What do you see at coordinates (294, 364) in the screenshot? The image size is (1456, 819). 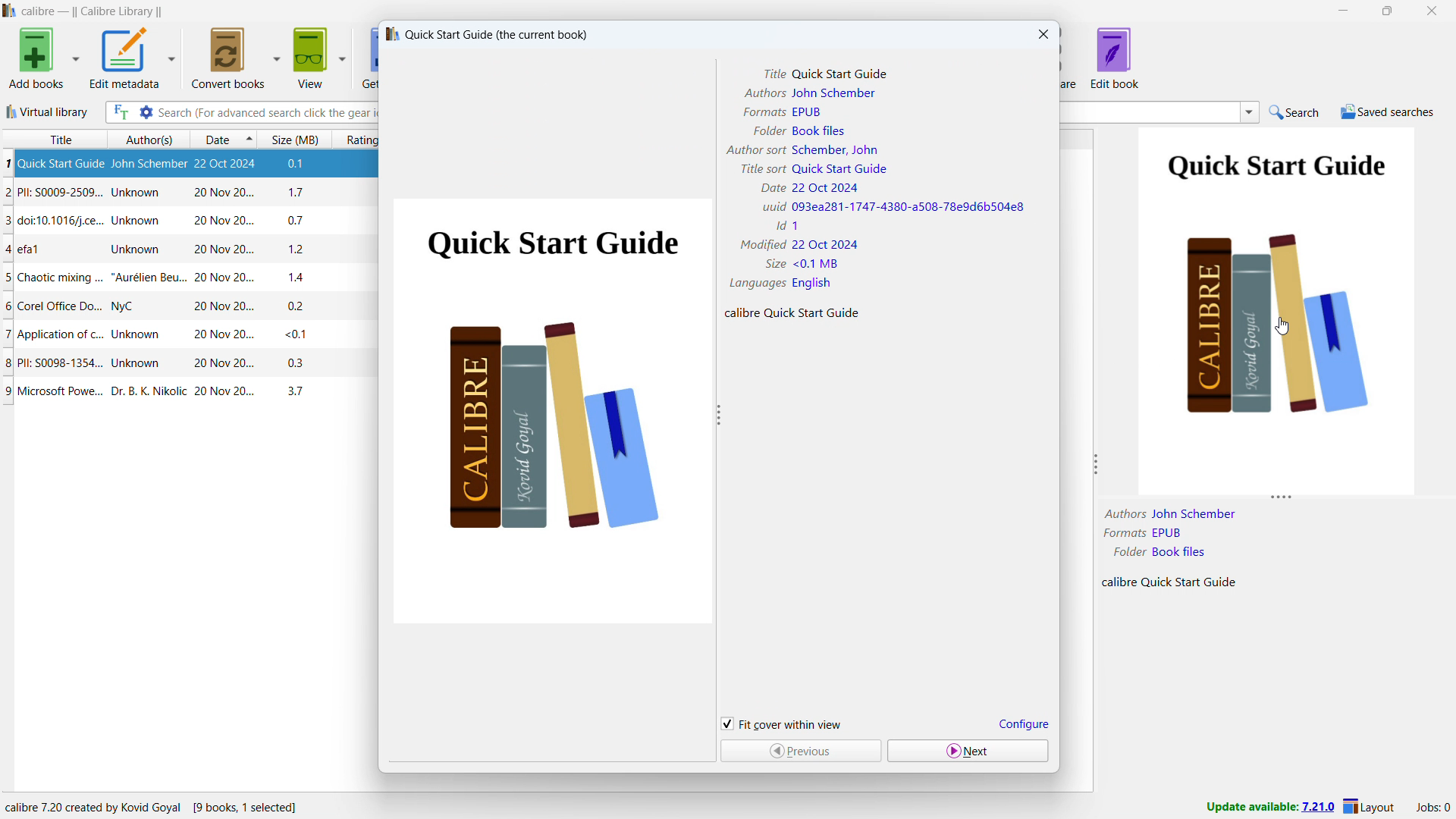 I see `0.3` at bounding box center [294, 364].